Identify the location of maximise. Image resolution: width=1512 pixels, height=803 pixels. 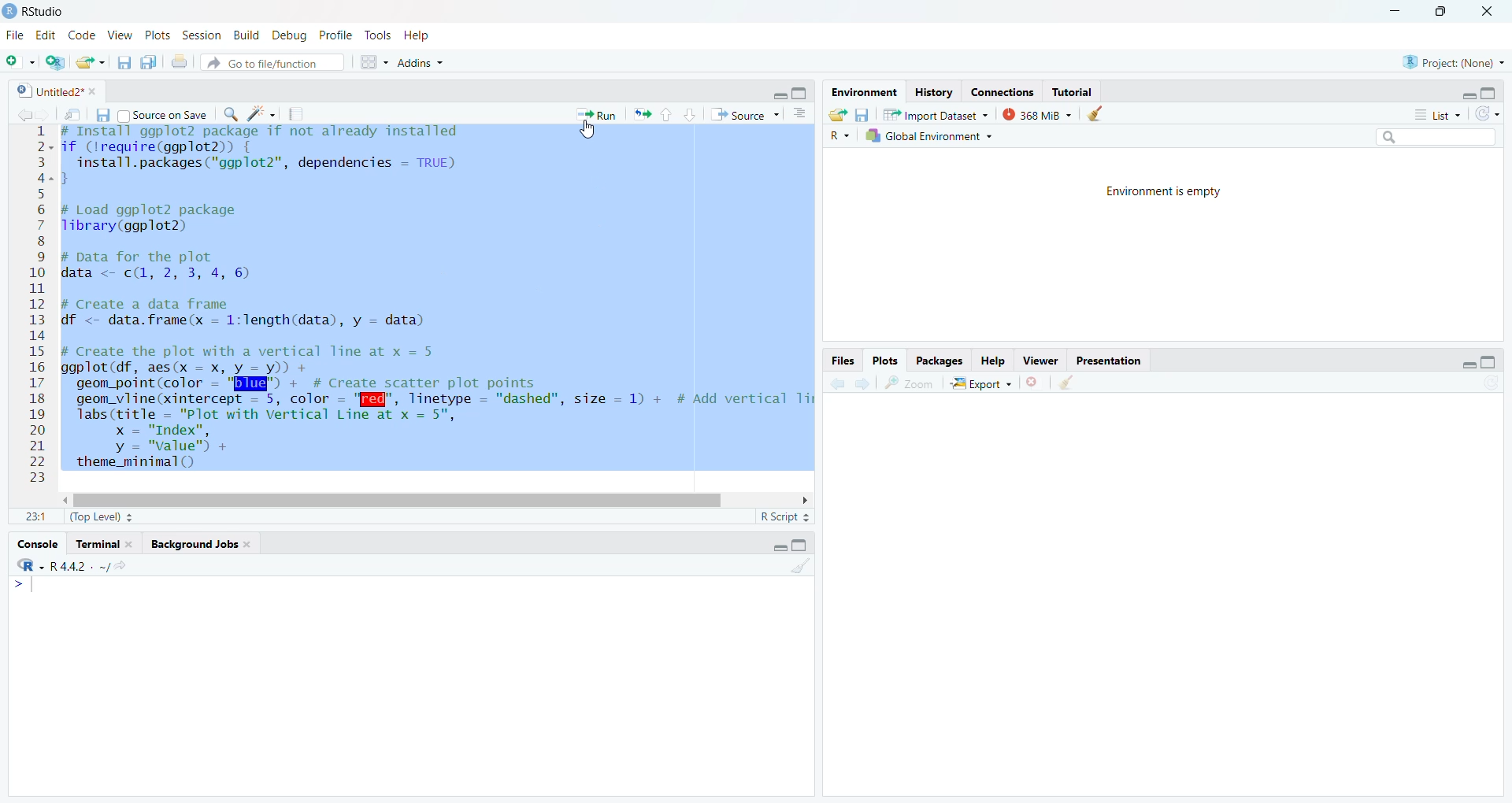
(802, 546).